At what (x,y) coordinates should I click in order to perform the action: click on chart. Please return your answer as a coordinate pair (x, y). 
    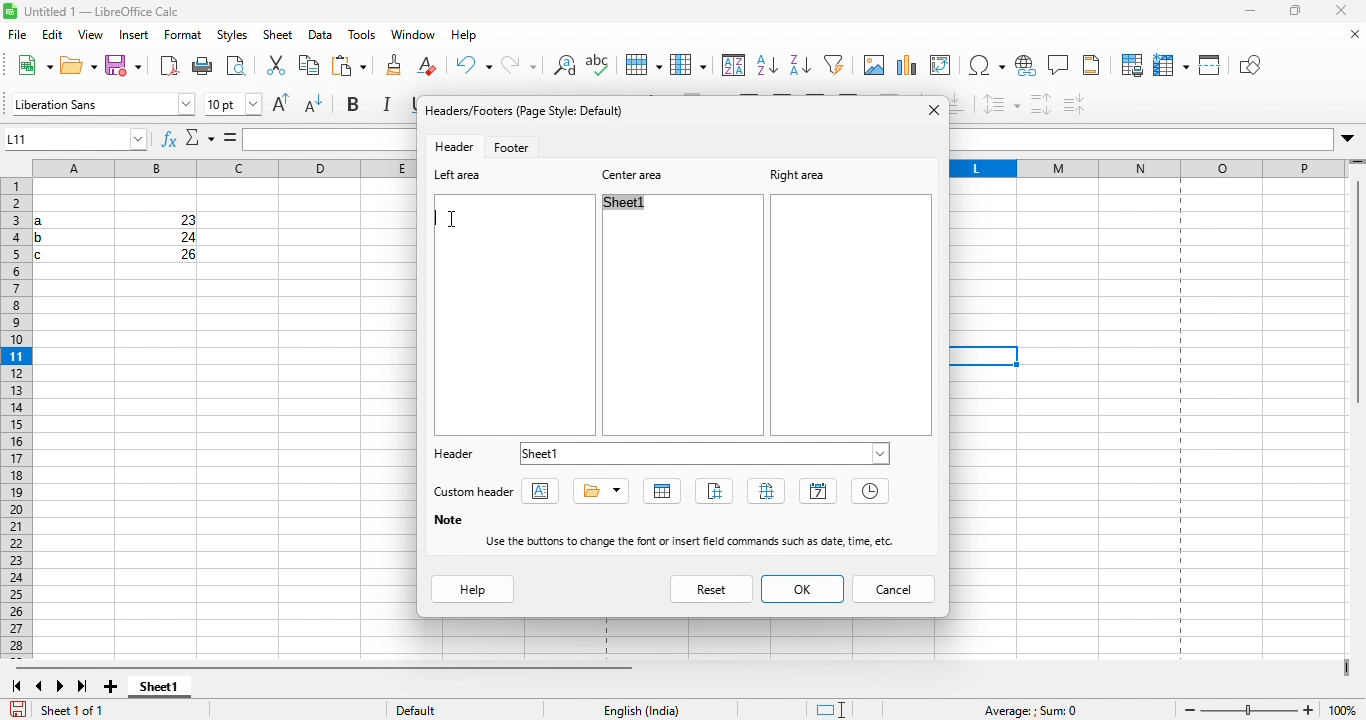
    Looking at the image, I should click on (908, 66).